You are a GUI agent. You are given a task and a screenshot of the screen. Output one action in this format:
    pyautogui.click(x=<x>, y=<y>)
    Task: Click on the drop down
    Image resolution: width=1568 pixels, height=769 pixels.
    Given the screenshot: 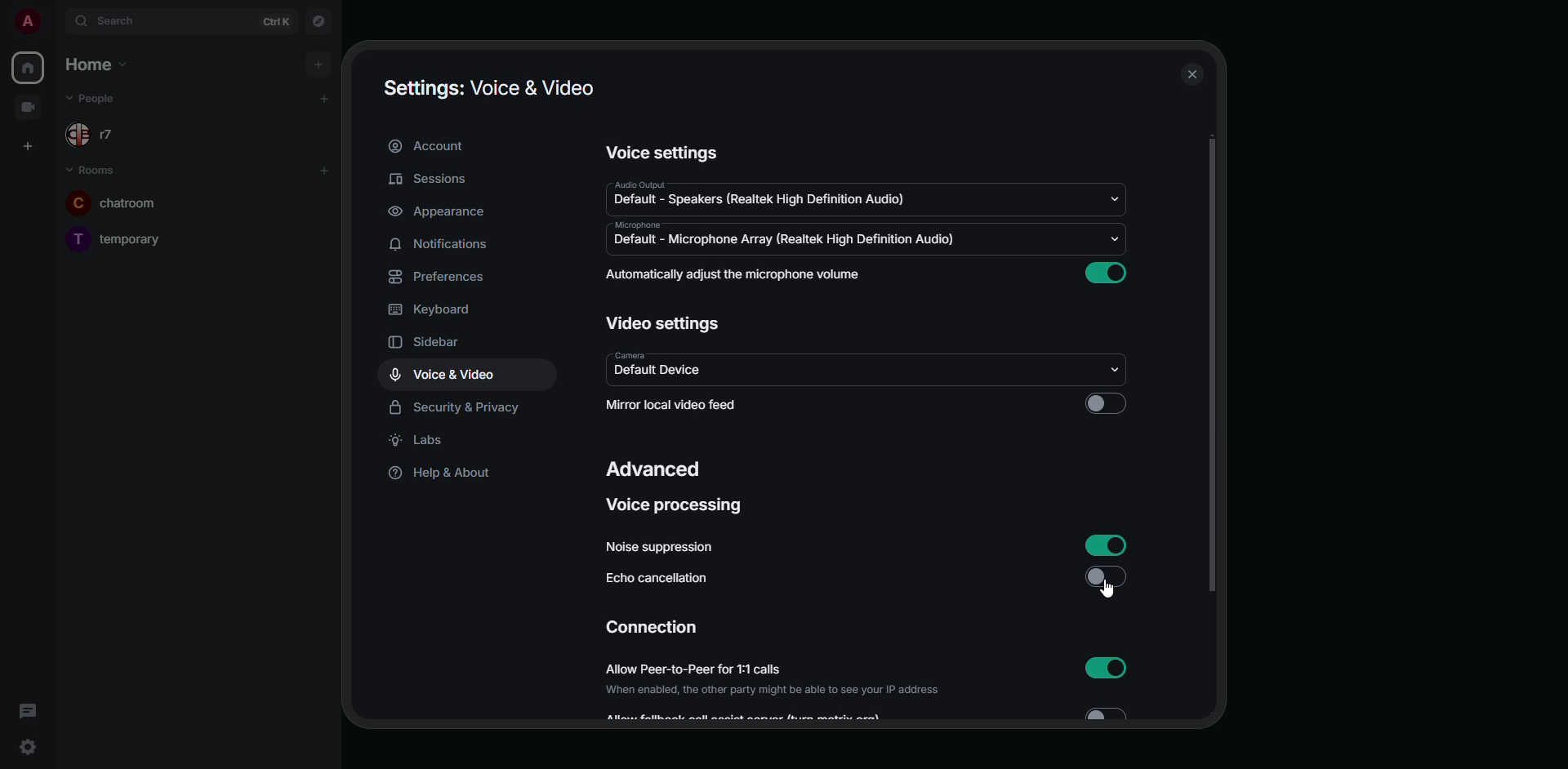 What is the action you would take?
    pyautogui.click(x=1117, y=370)
    